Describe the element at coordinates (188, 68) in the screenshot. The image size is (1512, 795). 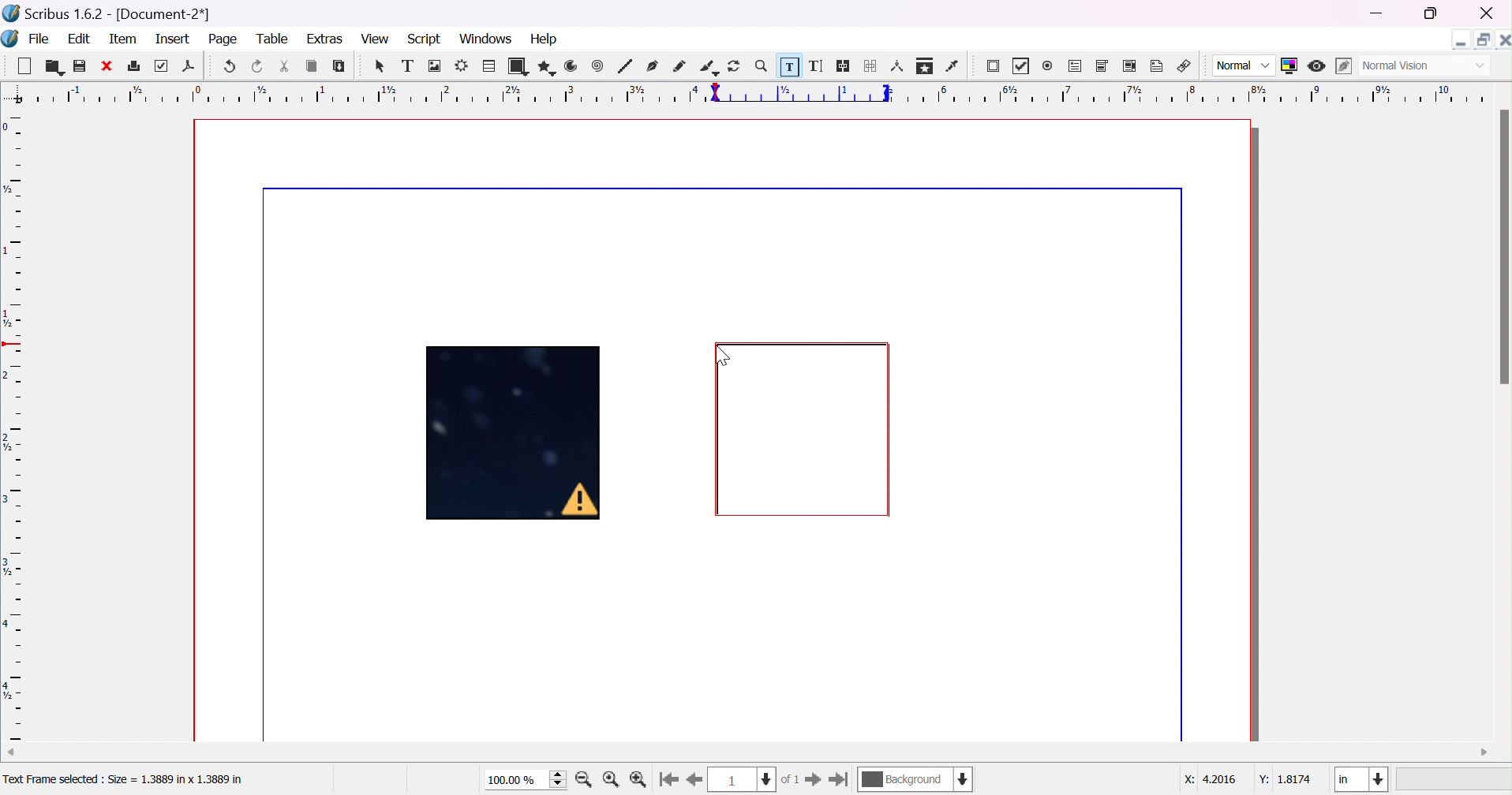
I see `save as PDF` at that location.